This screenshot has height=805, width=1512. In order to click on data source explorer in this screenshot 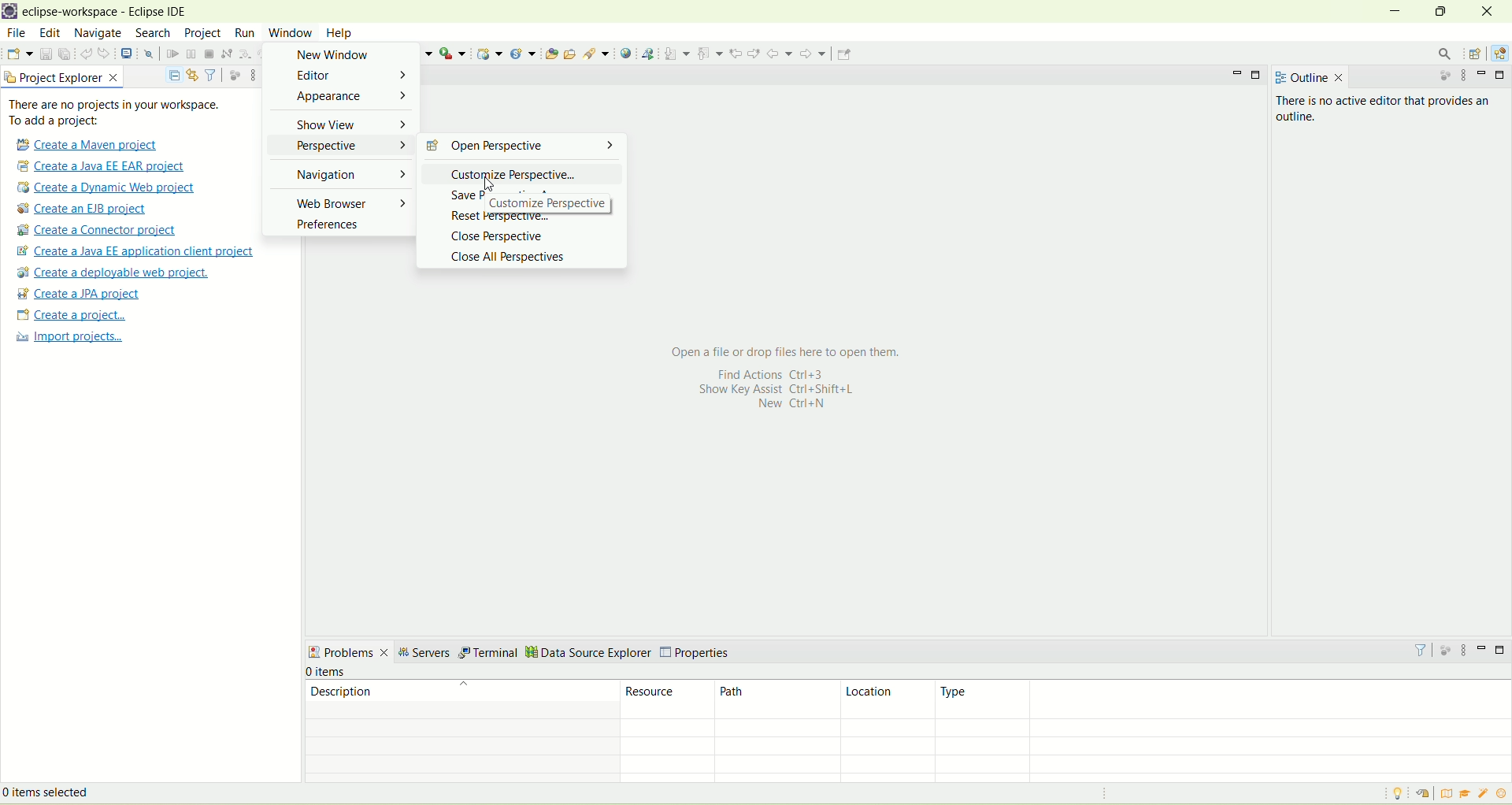, I will do `click(588, 651)`.